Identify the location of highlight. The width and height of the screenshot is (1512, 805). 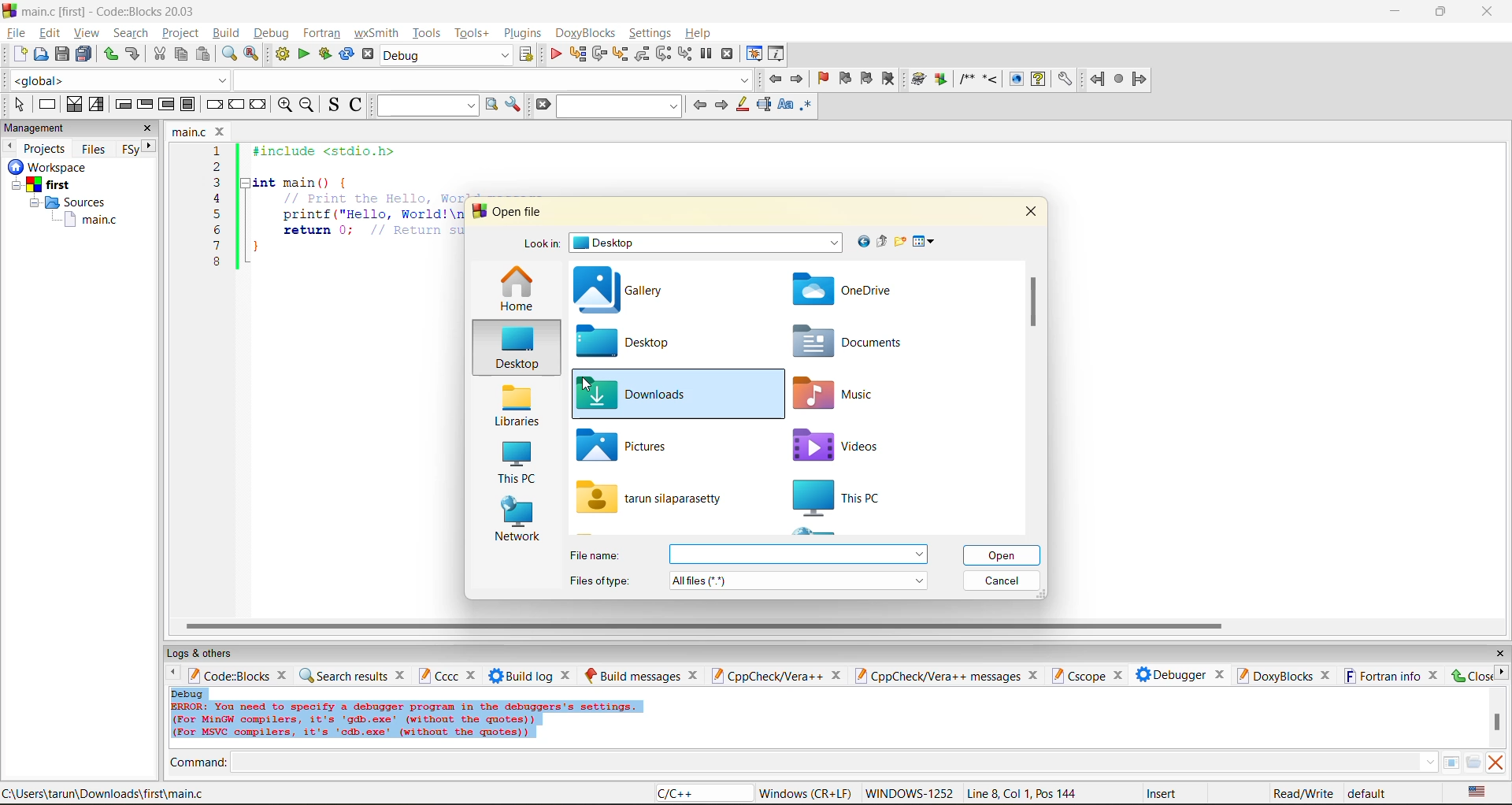
(741, 106).